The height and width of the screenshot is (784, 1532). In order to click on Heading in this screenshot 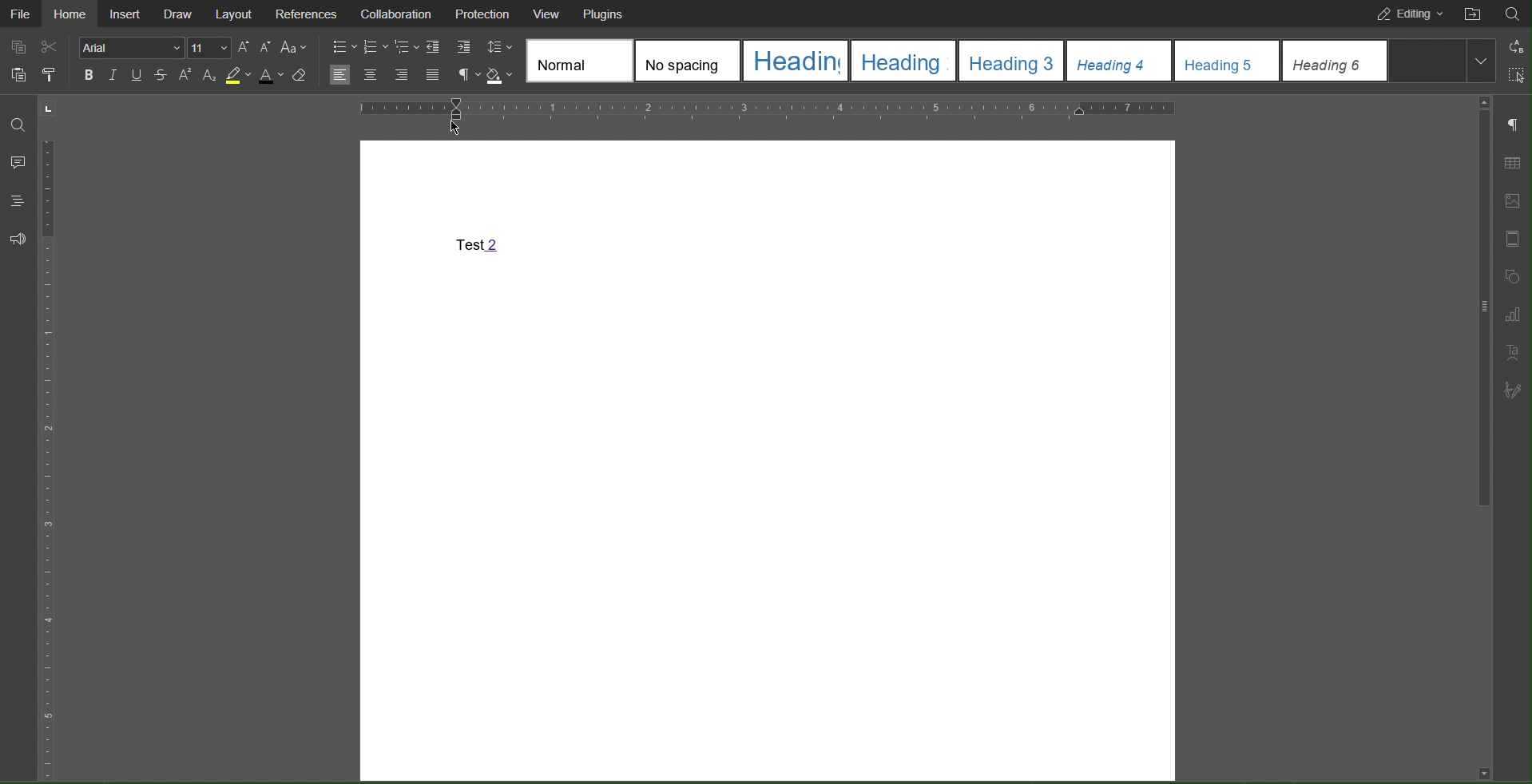, I will do `click(794, 61)`.